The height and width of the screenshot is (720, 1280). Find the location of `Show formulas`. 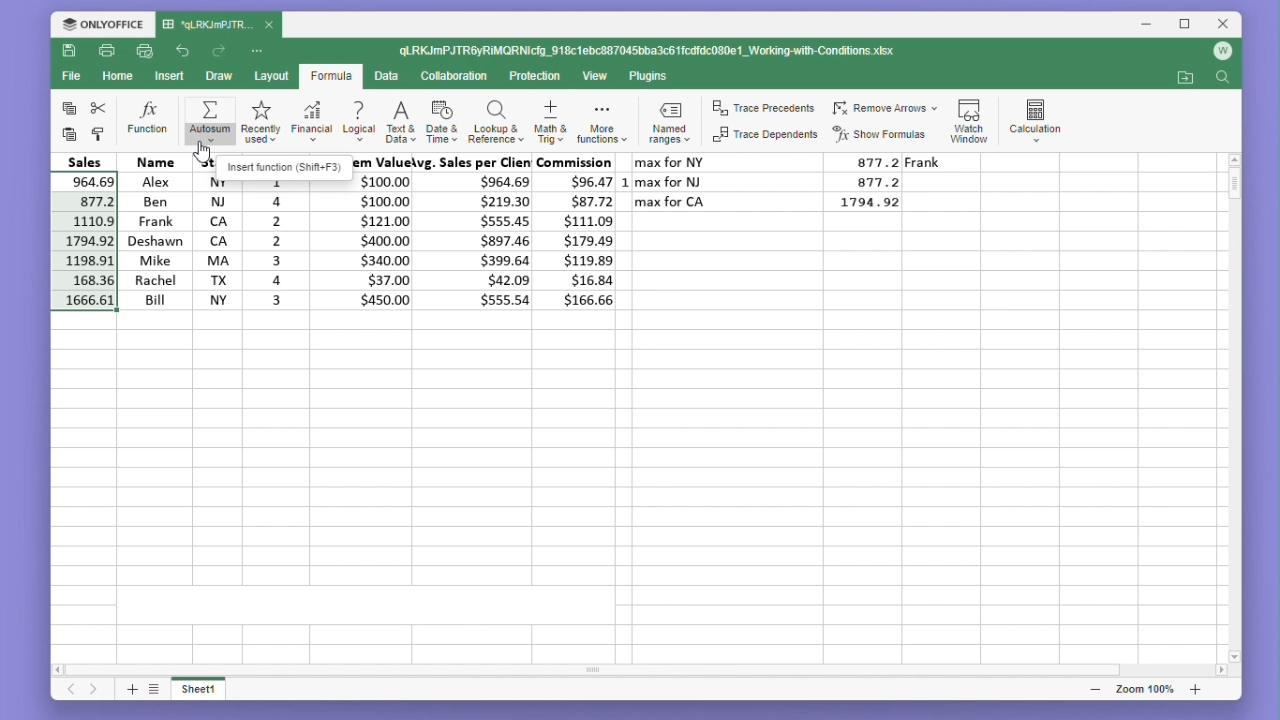

Show formulas is located at coordinates (881, 135).